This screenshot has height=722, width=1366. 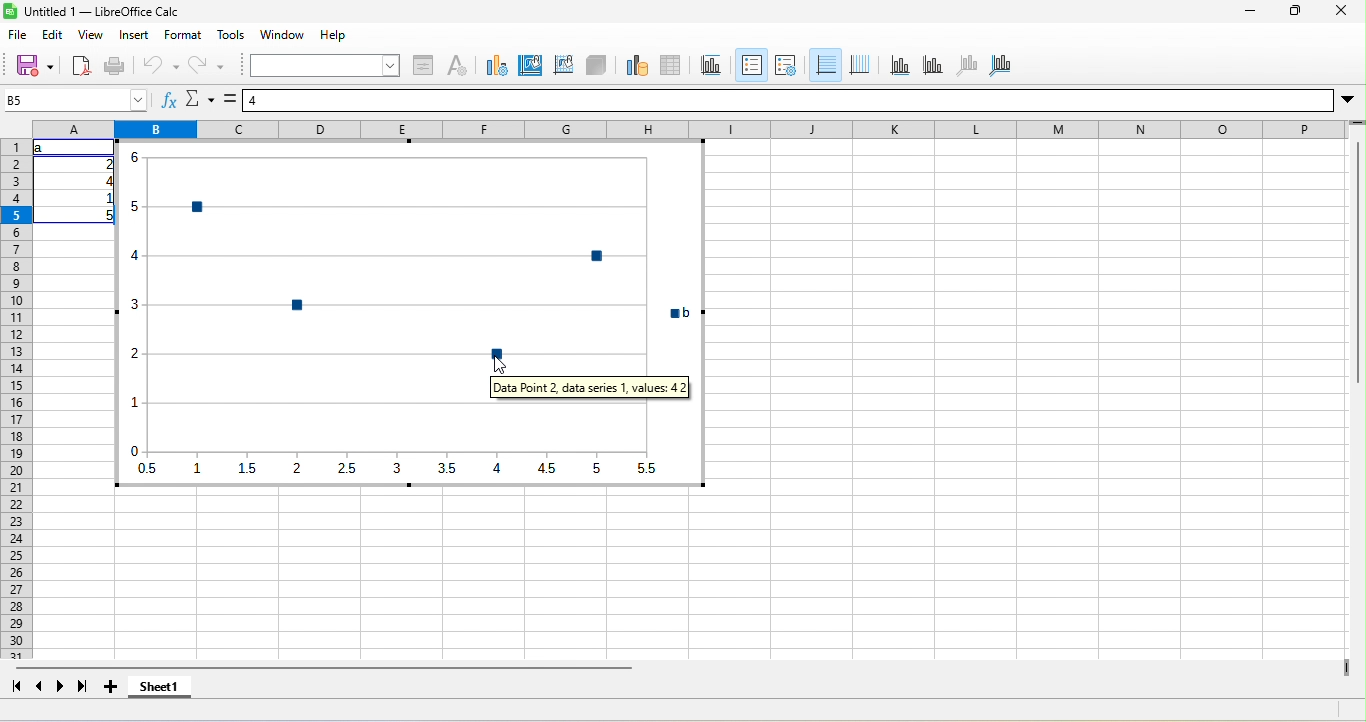 I want to click on select function, so click(x=200, y=99).